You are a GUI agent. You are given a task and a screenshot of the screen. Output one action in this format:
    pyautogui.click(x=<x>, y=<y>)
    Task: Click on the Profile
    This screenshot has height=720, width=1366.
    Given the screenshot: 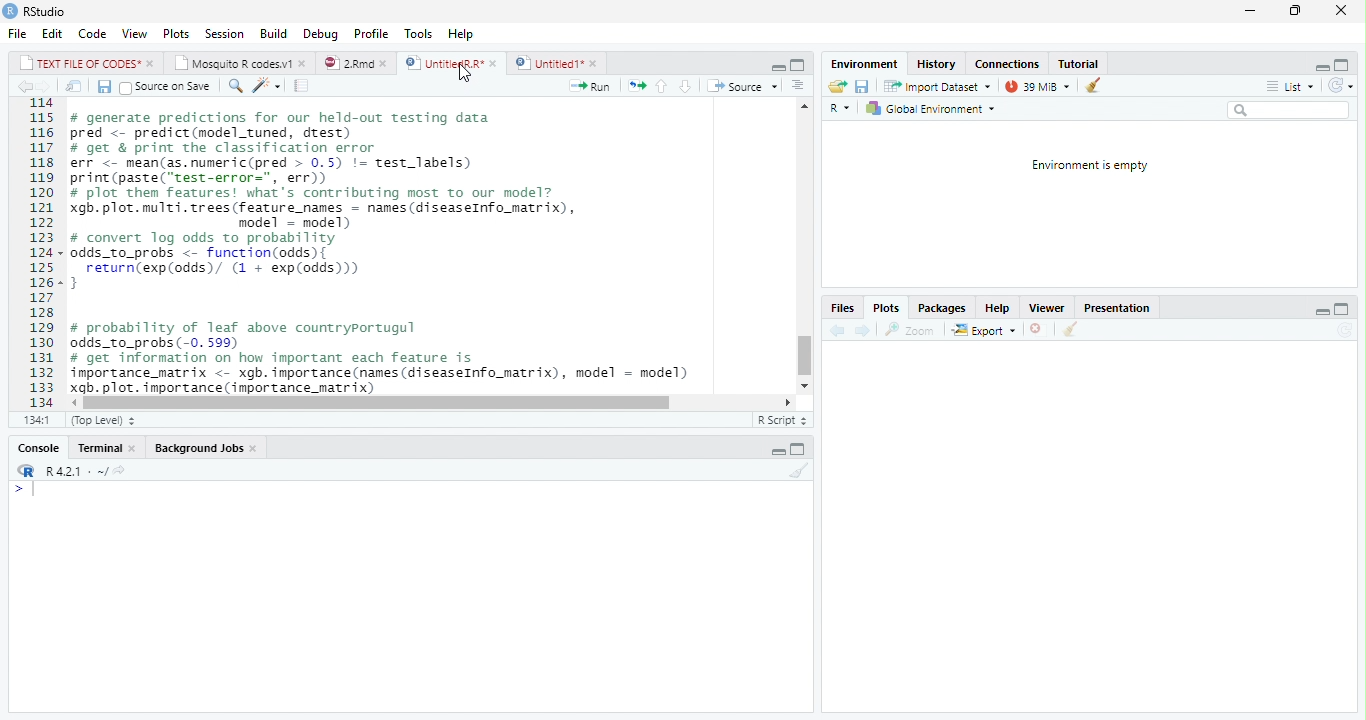 What is the action you would take?
    pyautogui.click(x=372, y=33)
    